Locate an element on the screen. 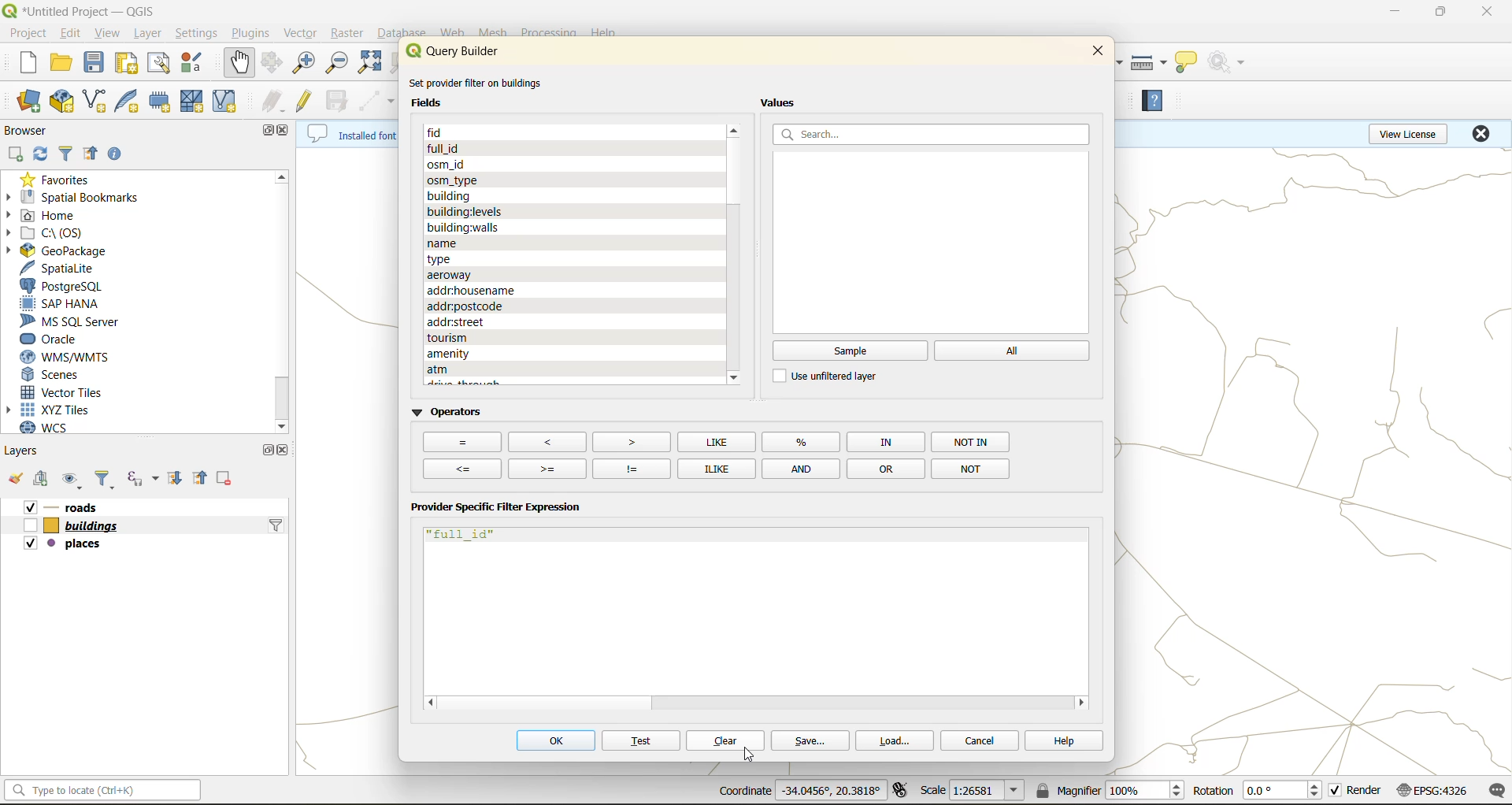  filter is located at coordinates (66, 152).